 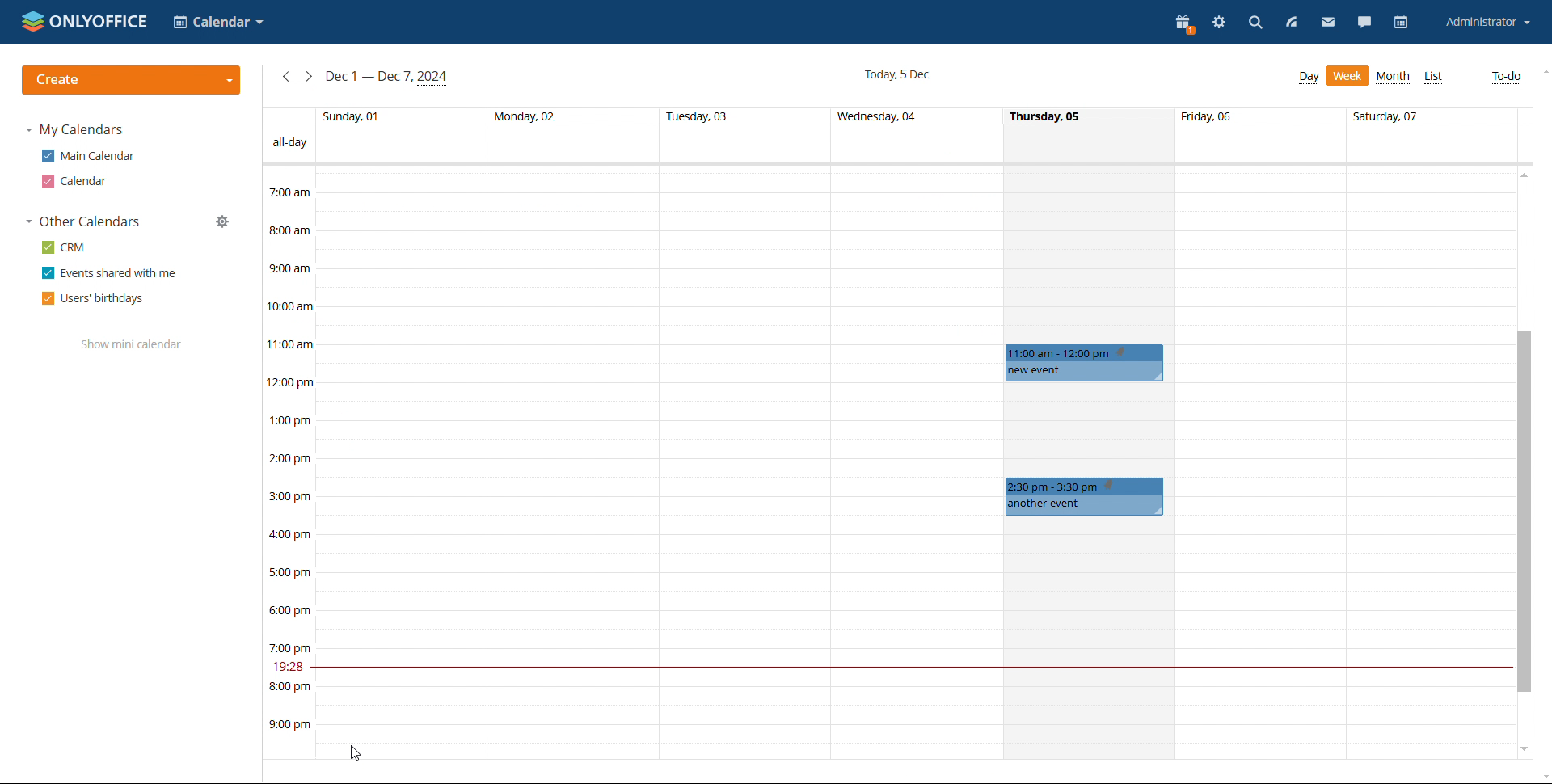 I want to click on 12:00 pm, so click(x=291, y=383).